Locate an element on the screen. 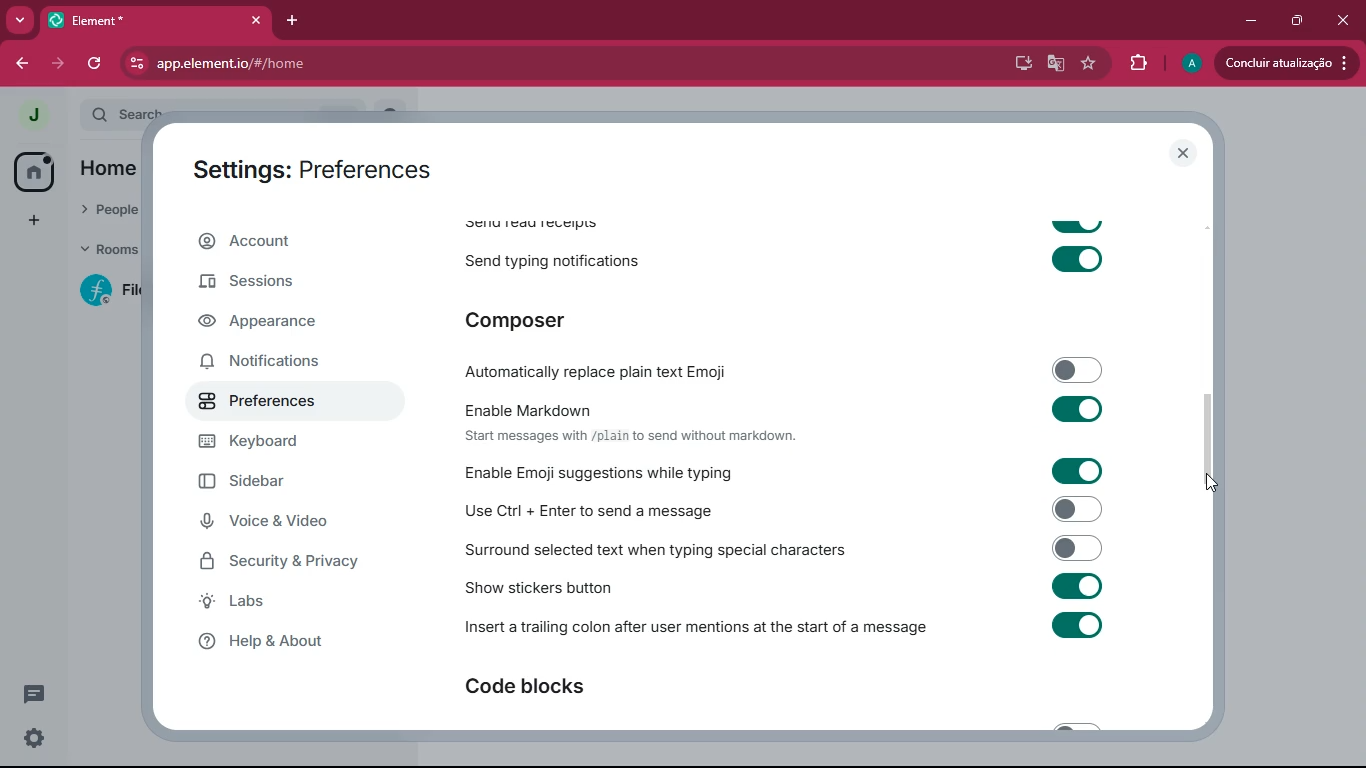 The height and width of the screenshot is (768, 1366). refresh is located at coordinates (96, 64).